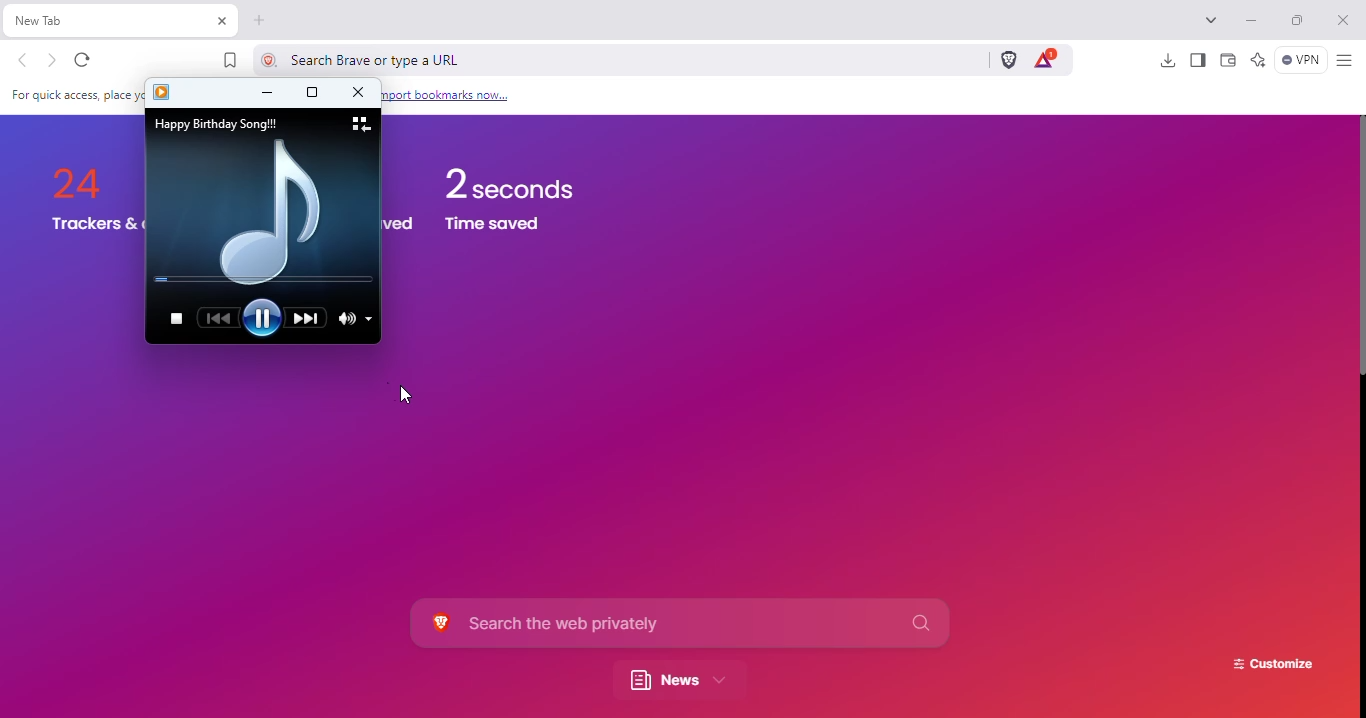 The height and width of the screenshot is (718, 1366). I want to click on show sidebar, so click(1199, 60).